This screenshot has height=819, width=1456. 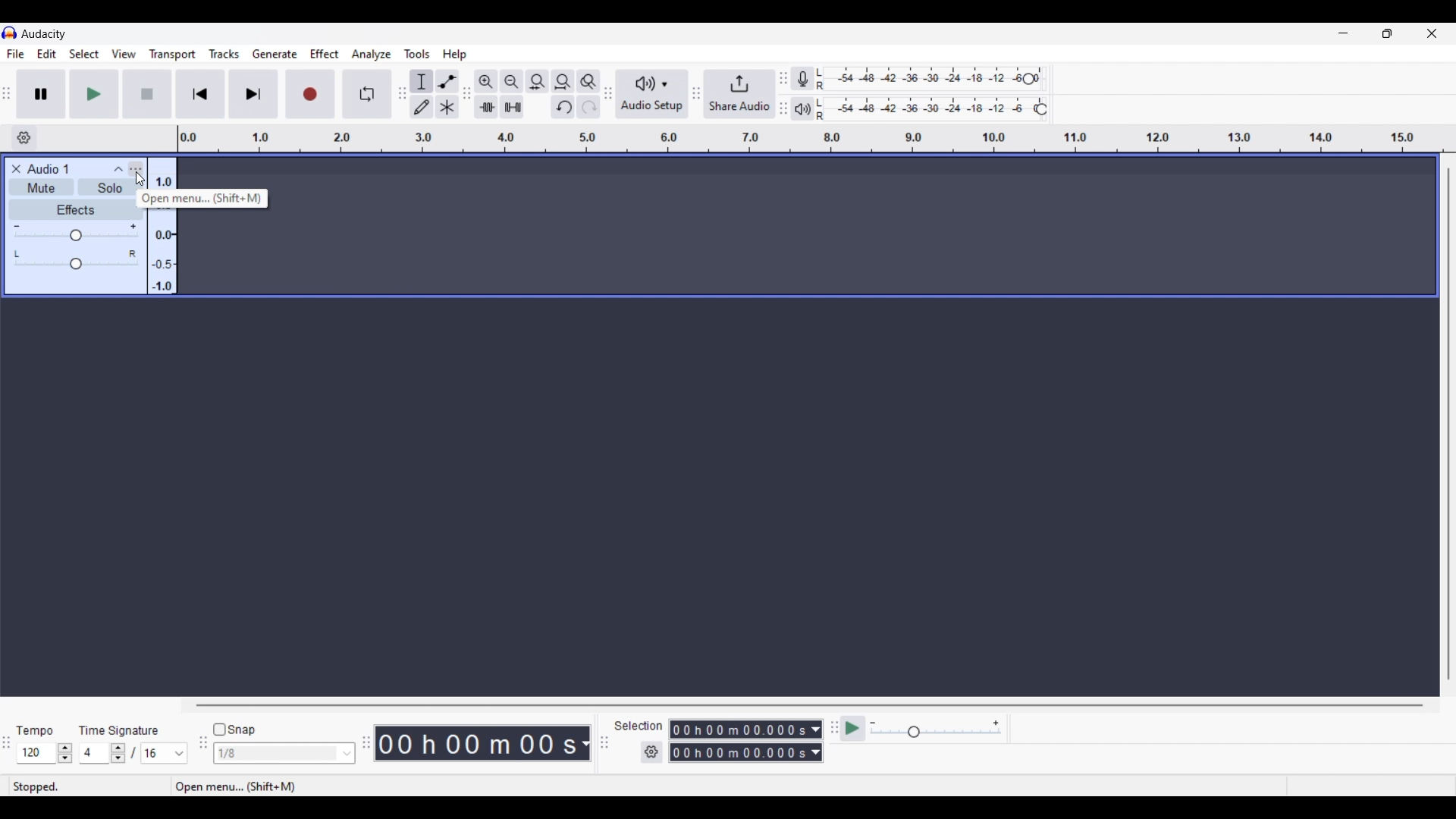 I want to click on Minimize, so click(x=1343, y=33).